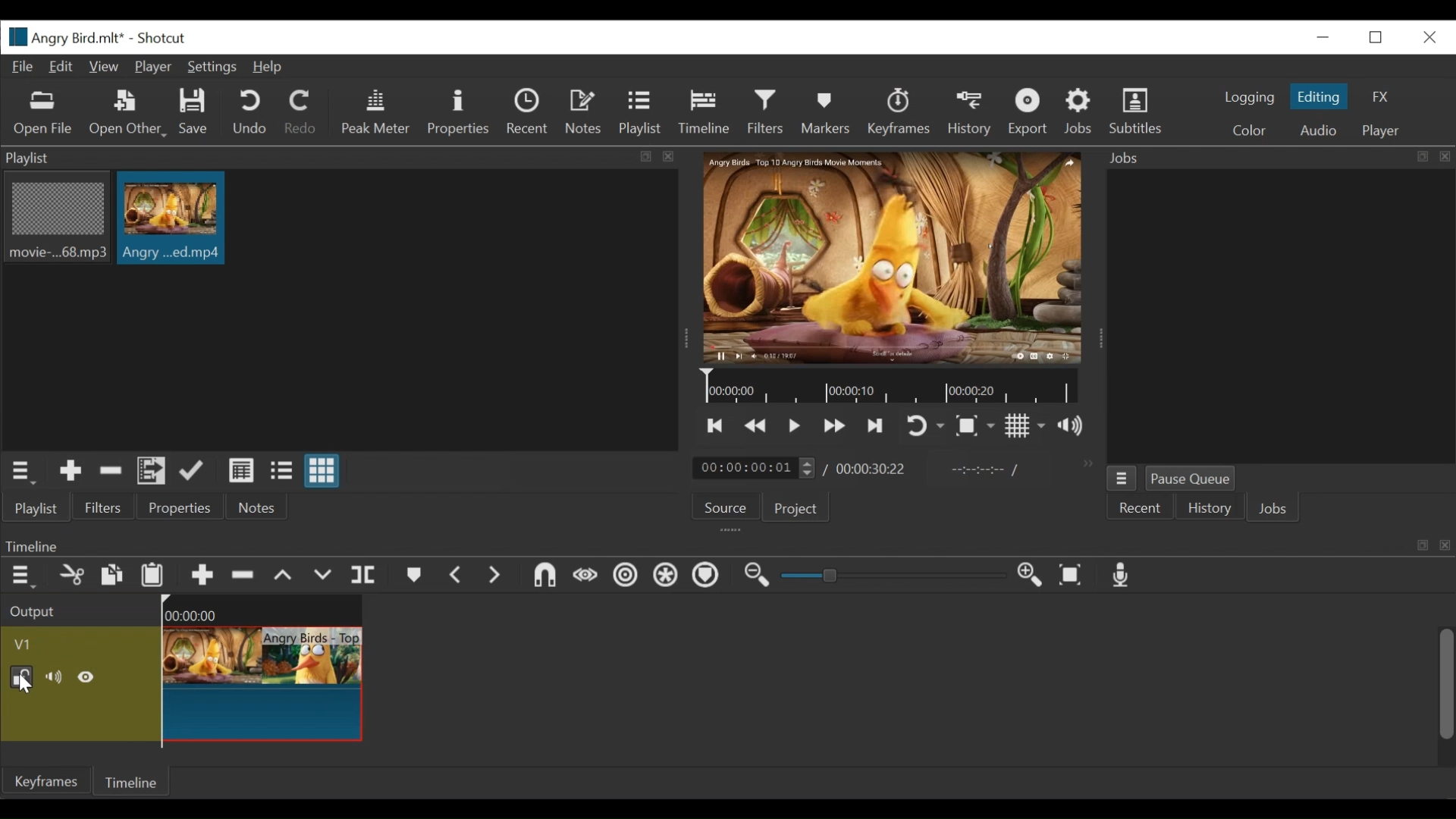 This screenshot has height=819, width=1456. Describe the element at coordinates (415, 576) in the screenshot. I see `Markers` at that location.